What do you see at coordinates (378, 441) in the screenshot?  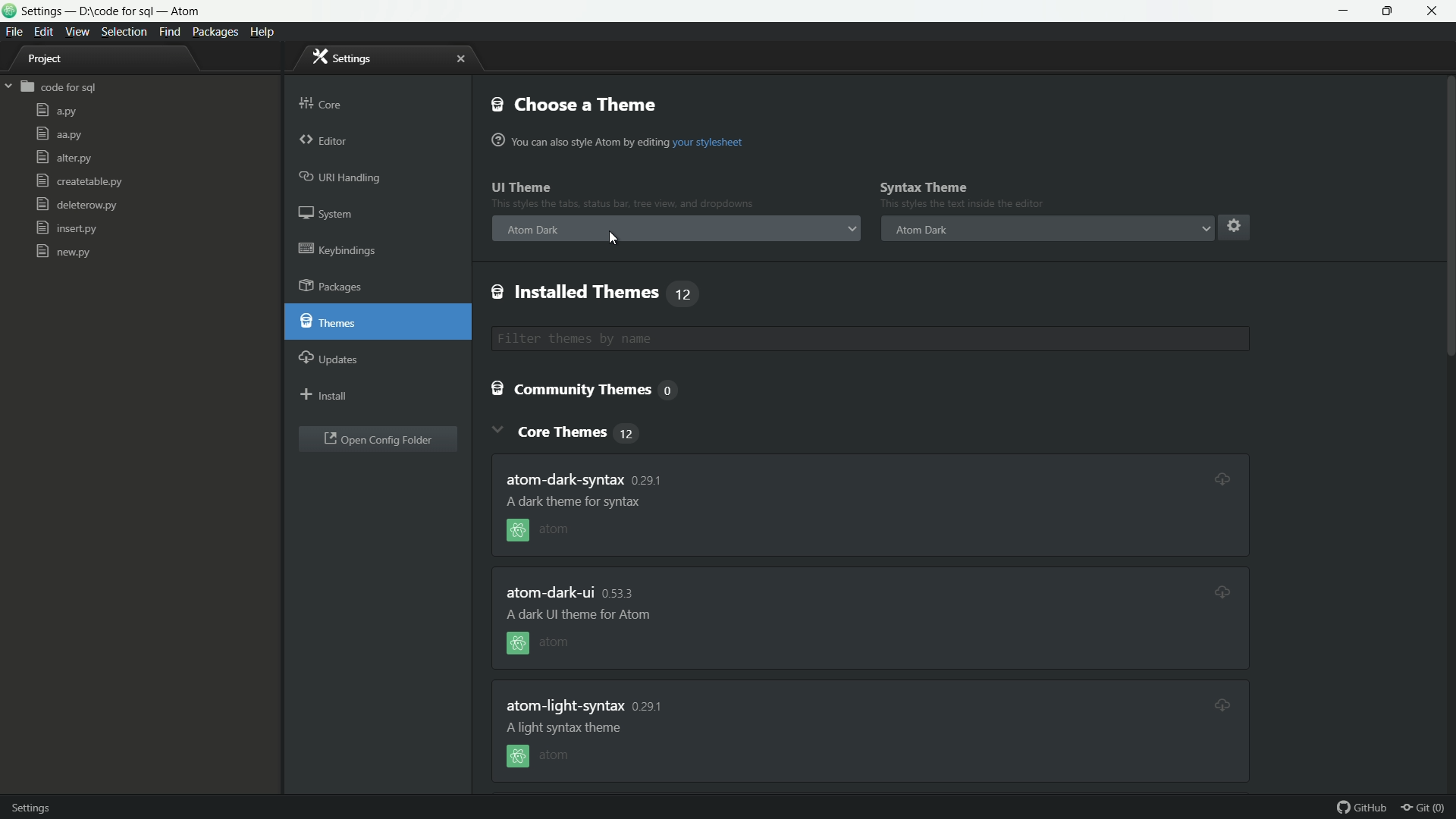 I see `open config folder` at bounding box center [378, 441].